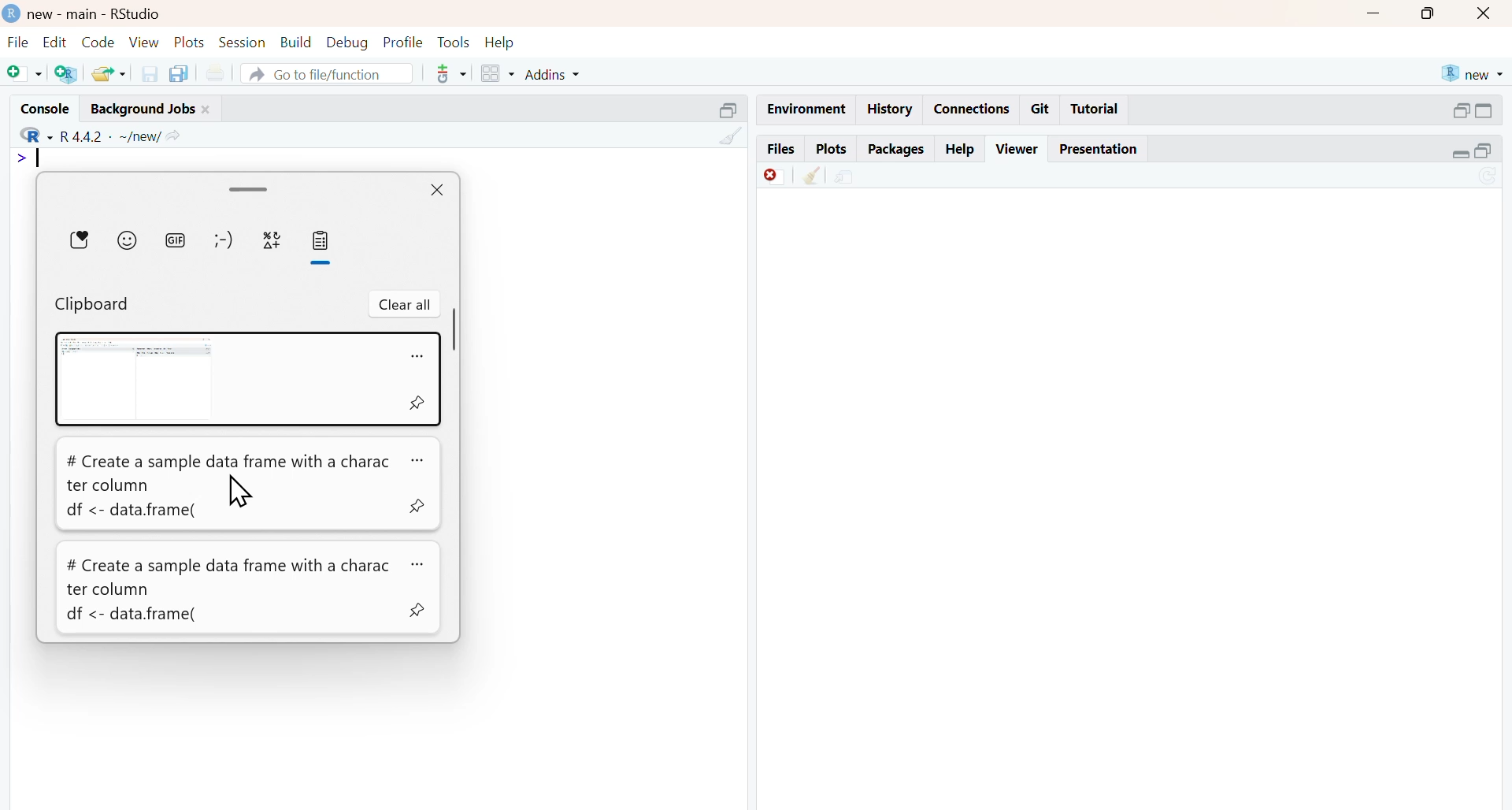 The image size is (1512, 810). I want to click on connections, so click(973, 109).